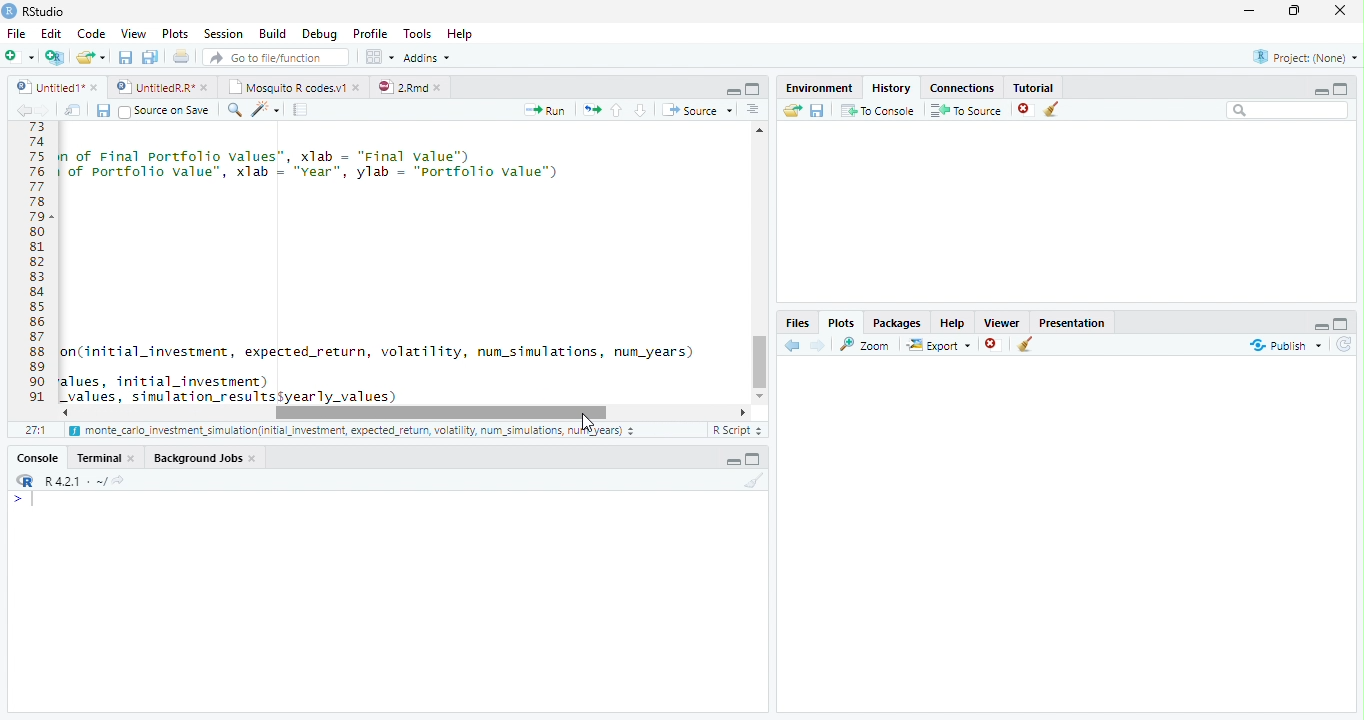 The image size is (1364, 720). I want to click on Help, so click(952, 322).